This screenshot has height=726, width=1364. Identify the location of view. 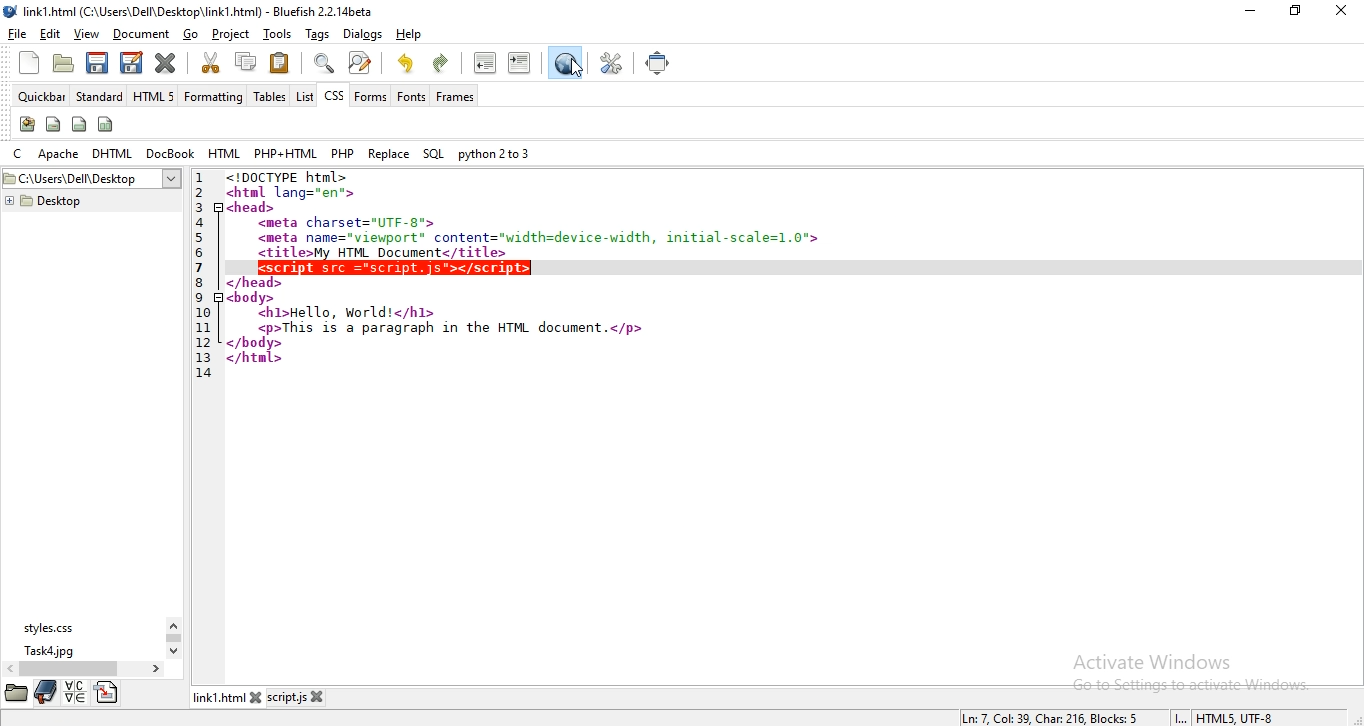
(85, 34).